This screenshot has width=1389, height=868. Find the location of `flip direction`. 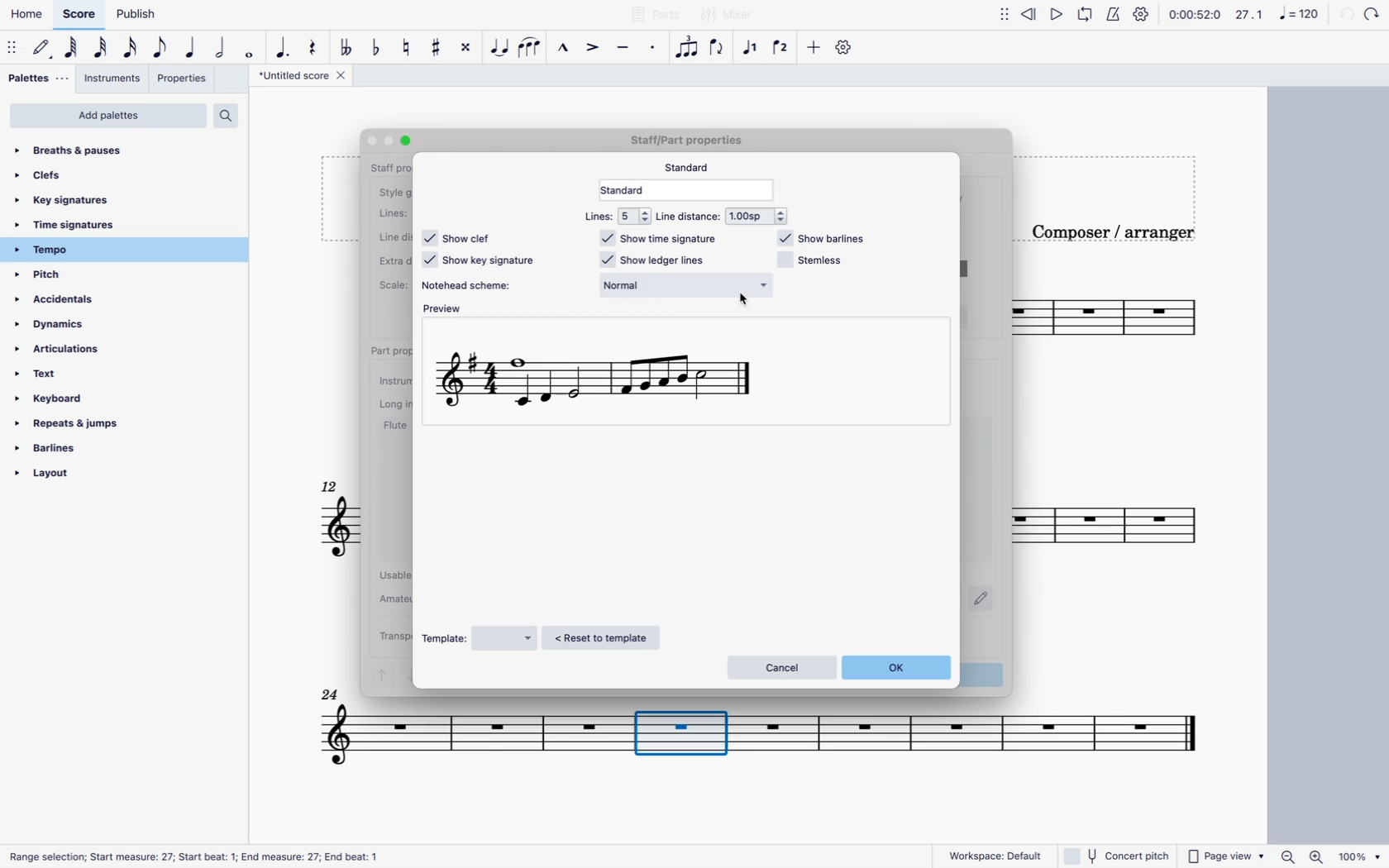

flip direction is located at coordinates (719, 48).